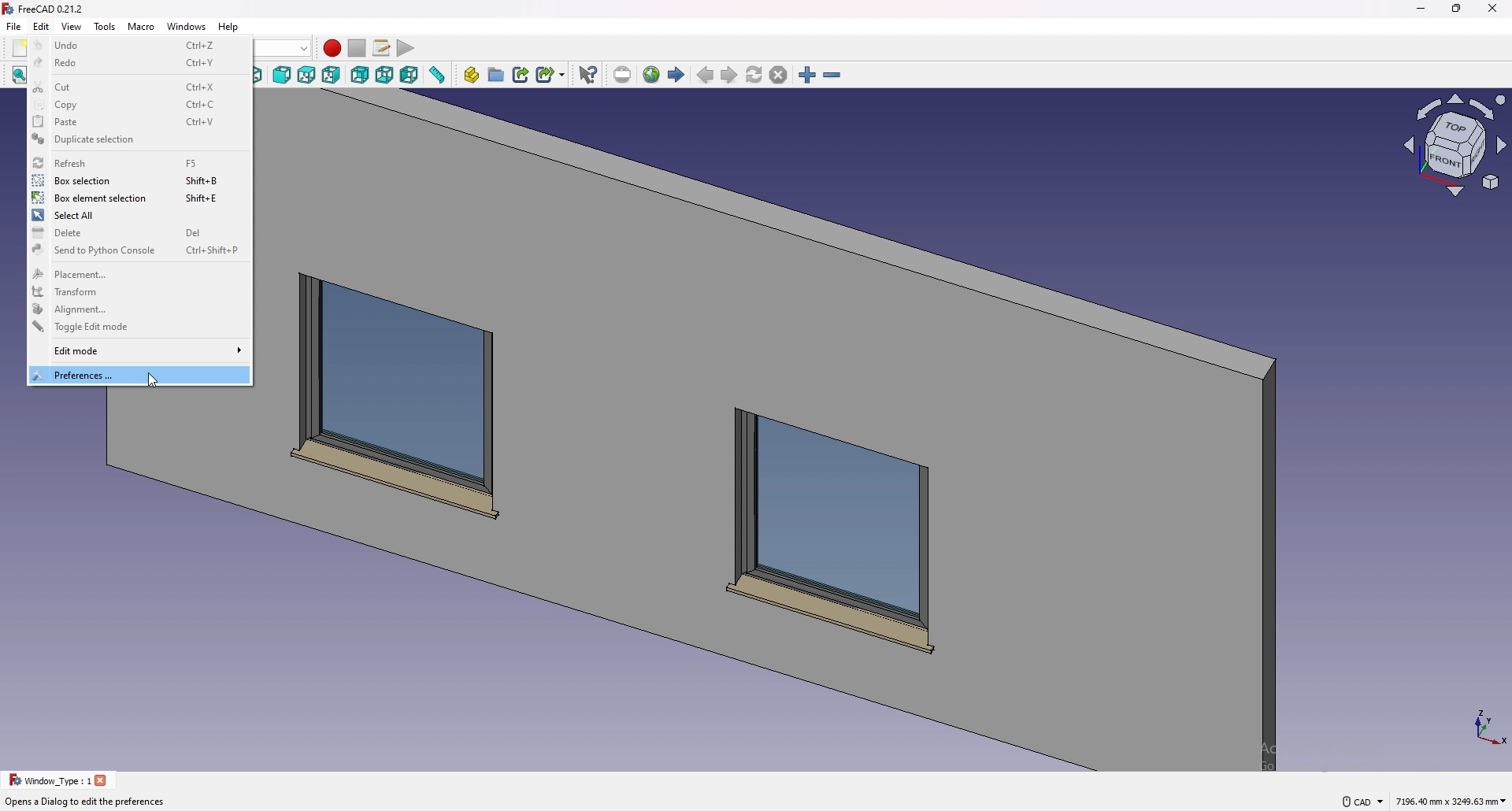  Describe the element at coordinates (136, 180) in the screenshot. I see `box selection   Shift+B` at that location.